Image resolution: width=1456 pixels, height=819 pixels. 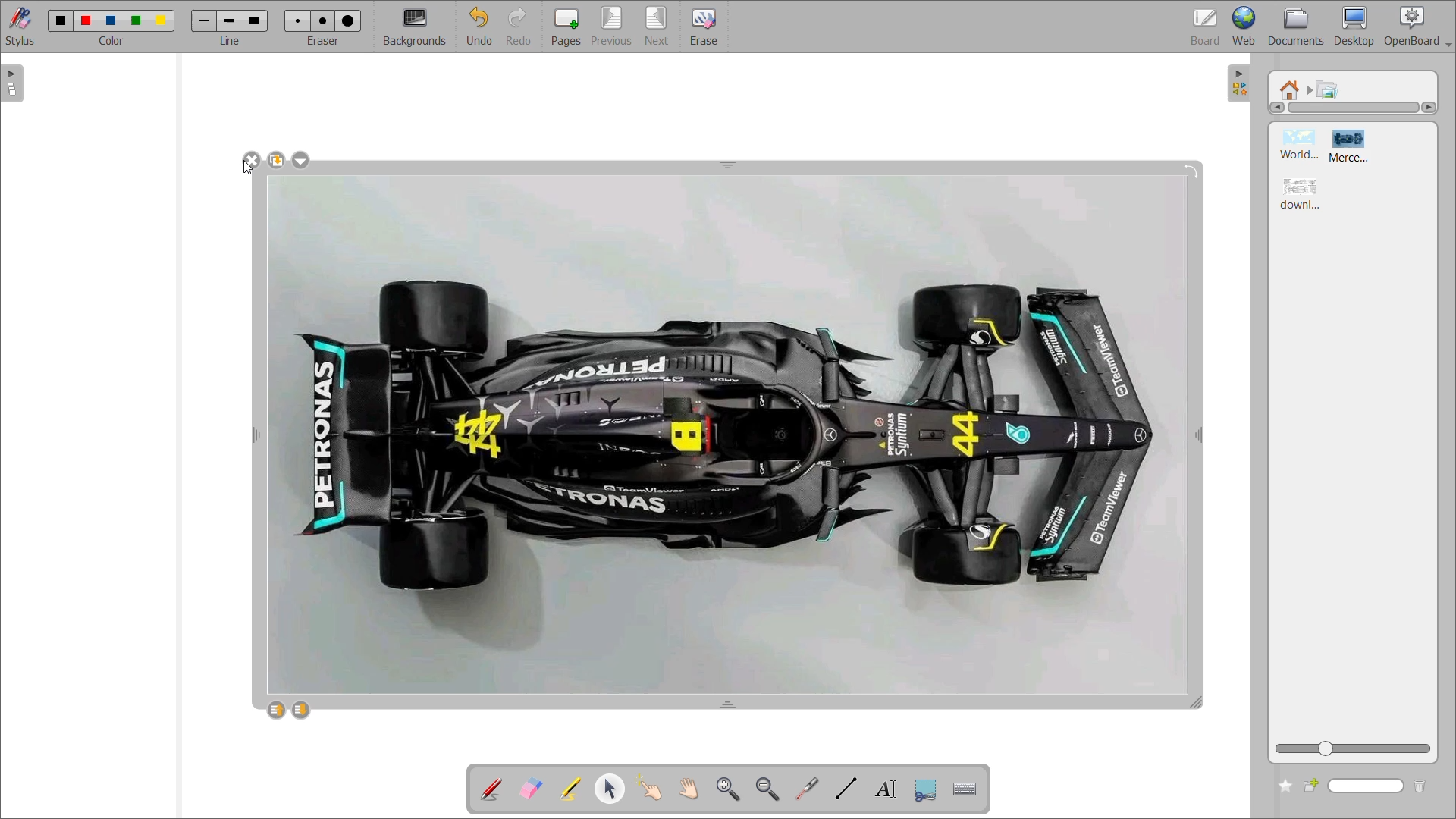 What do you see at coordinates (275, 161) in the screenshot?
I see `make a copy` at bounding box center [275, 161].